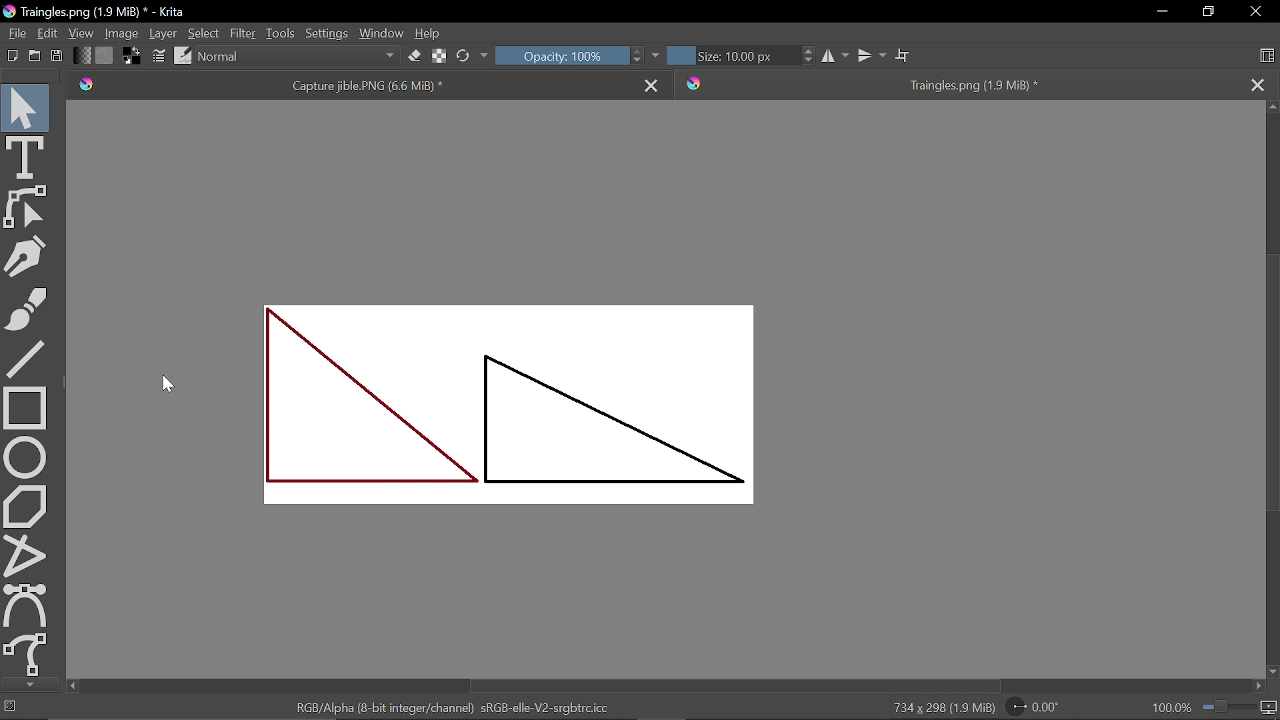 The width and height of the screenshot is (1280, 720). Describe the element at coordinates (462, 56) in the screenshot. I see `Reload original preset` at that location.